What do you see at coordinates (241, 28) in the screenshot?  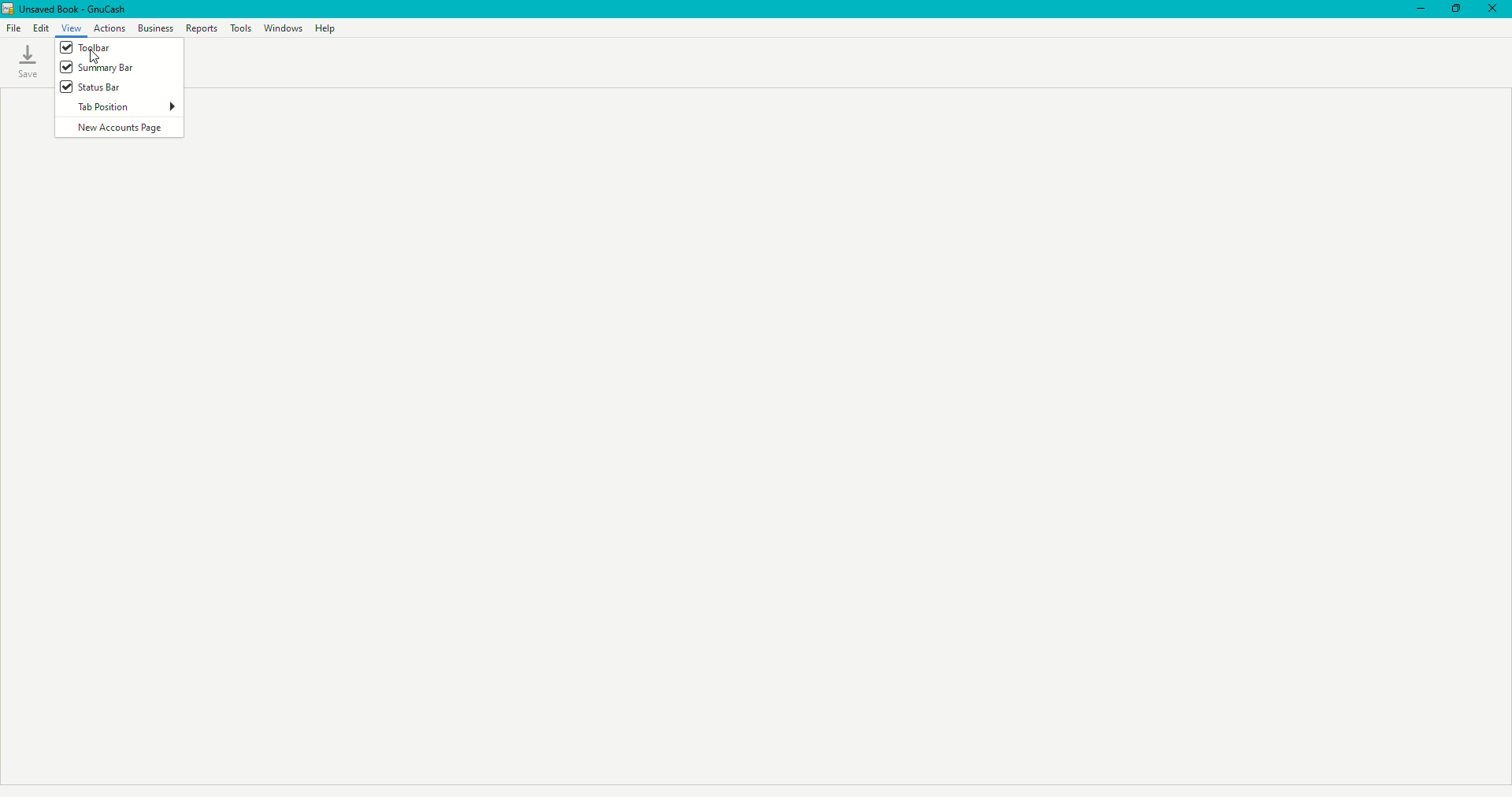 I see `Tools` at bounding box center [241, 28].